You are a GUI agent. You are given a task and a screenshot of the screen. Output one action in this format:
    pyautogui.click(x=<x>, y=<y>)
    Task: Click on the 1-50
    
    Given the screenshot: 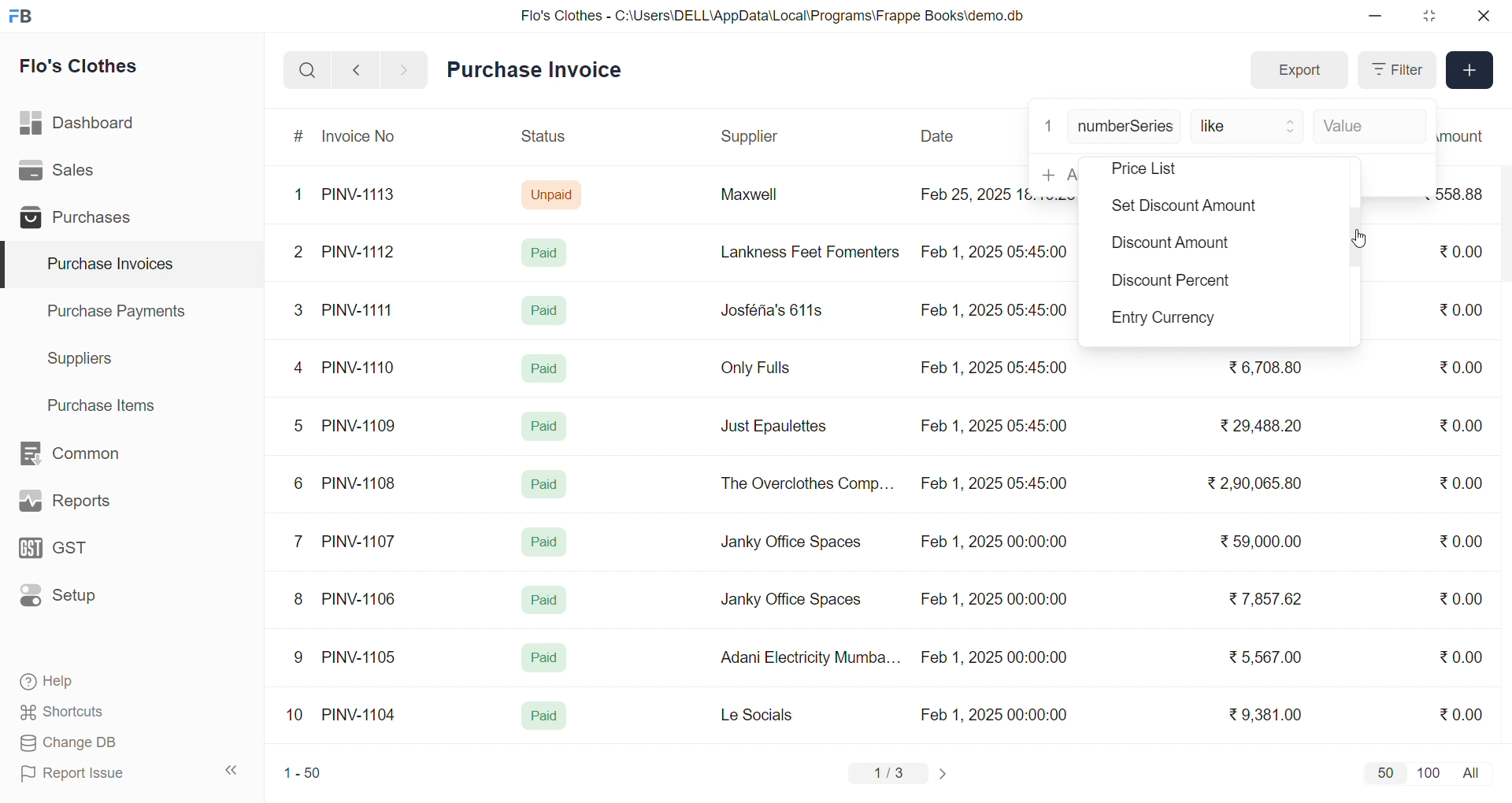 What is the action you would take?
    pyautogui.click(x=302, y=775)
    